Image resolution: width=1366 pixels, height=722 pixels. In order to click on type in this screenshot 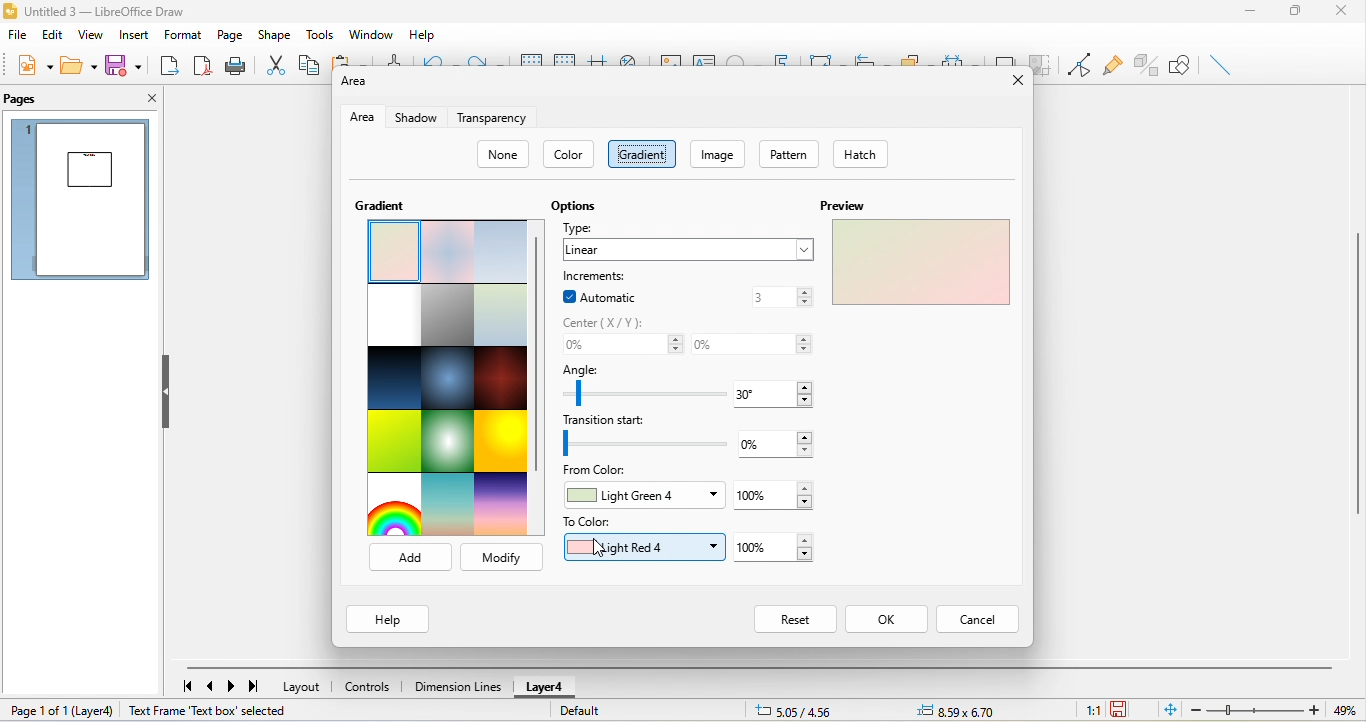, I will do `click(582, 226)`.